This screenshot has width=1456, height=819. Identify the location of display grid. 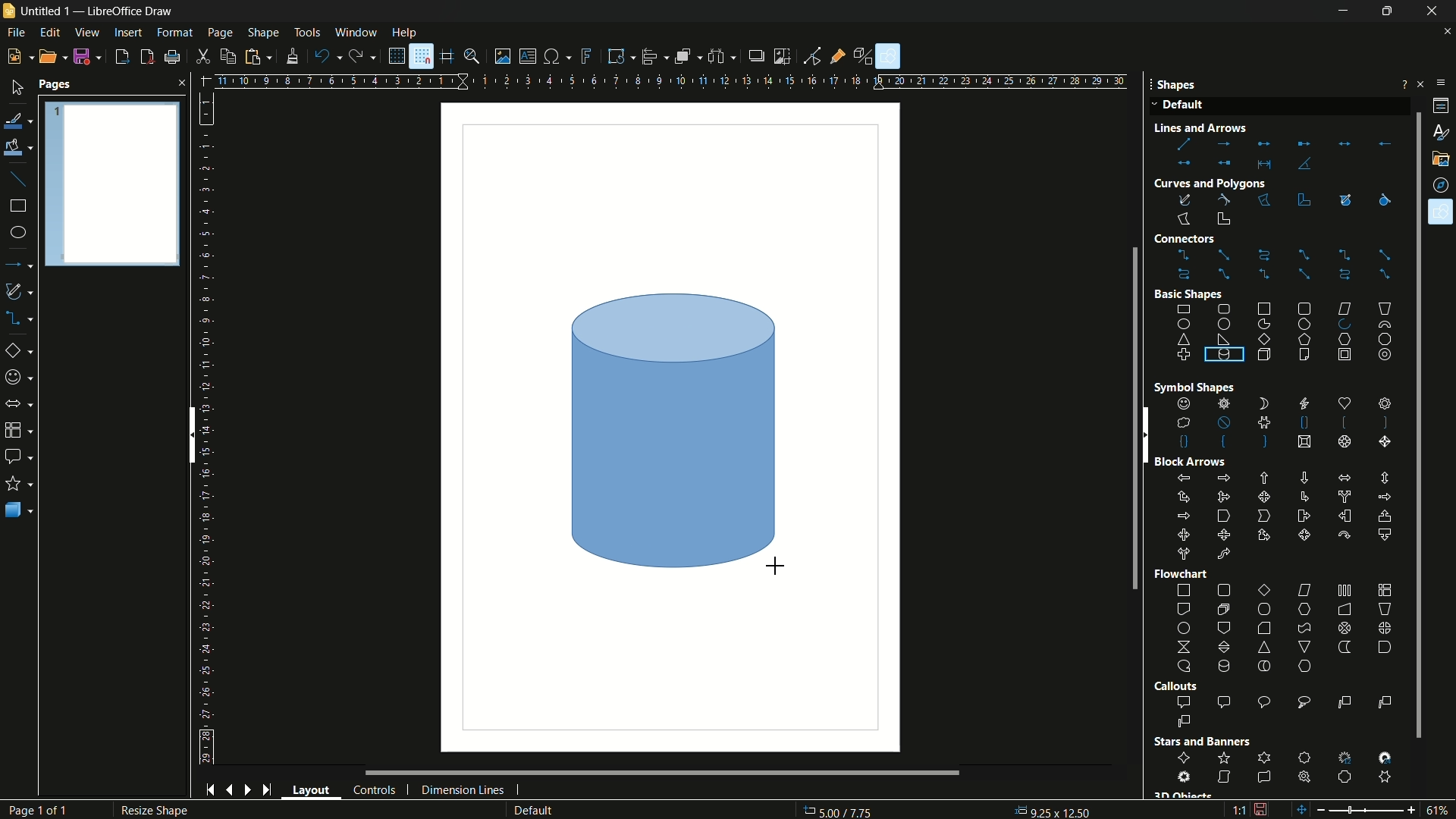
(394, 56).